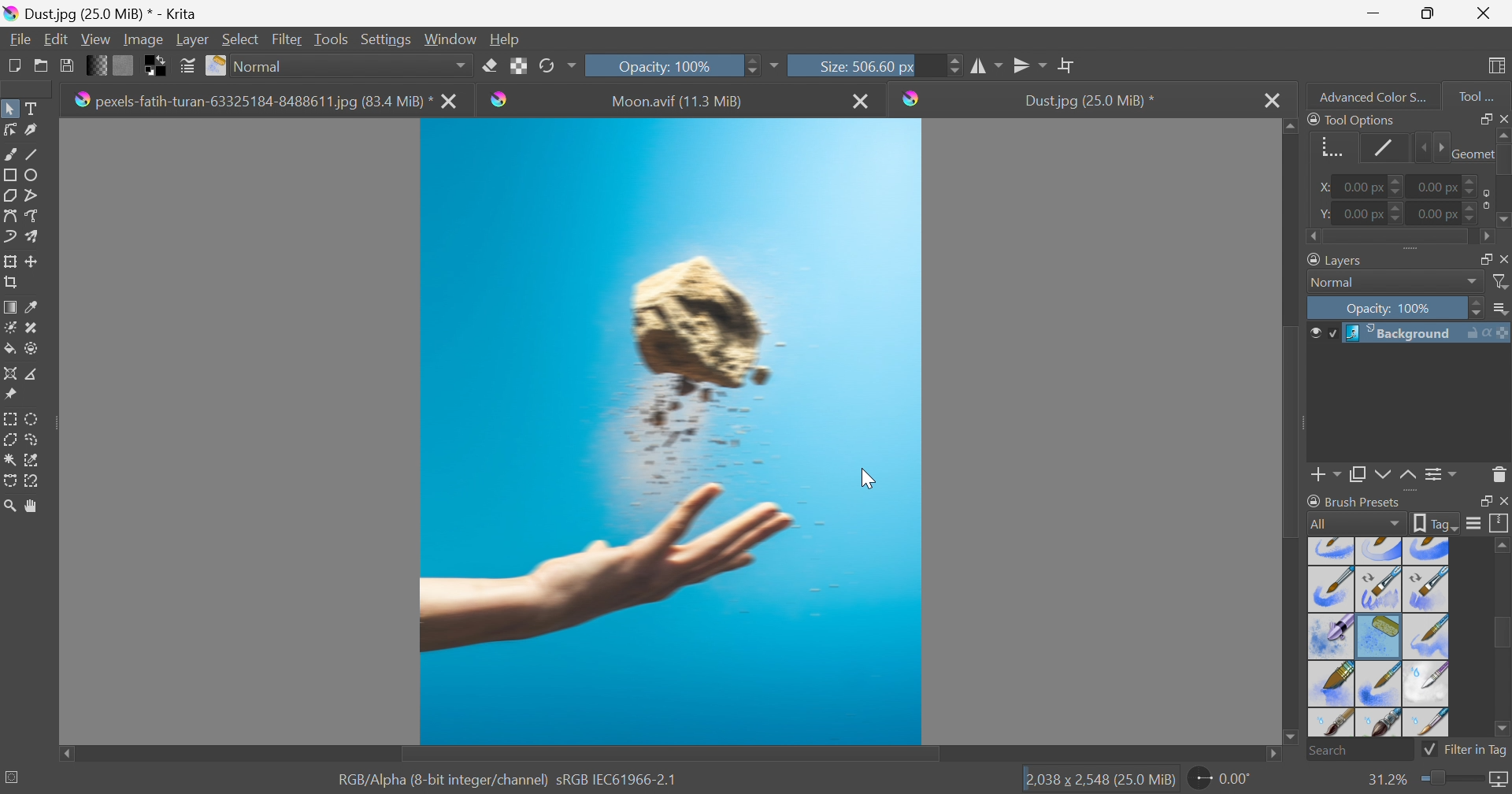  I want to click on Create new document, so click(13, 65).